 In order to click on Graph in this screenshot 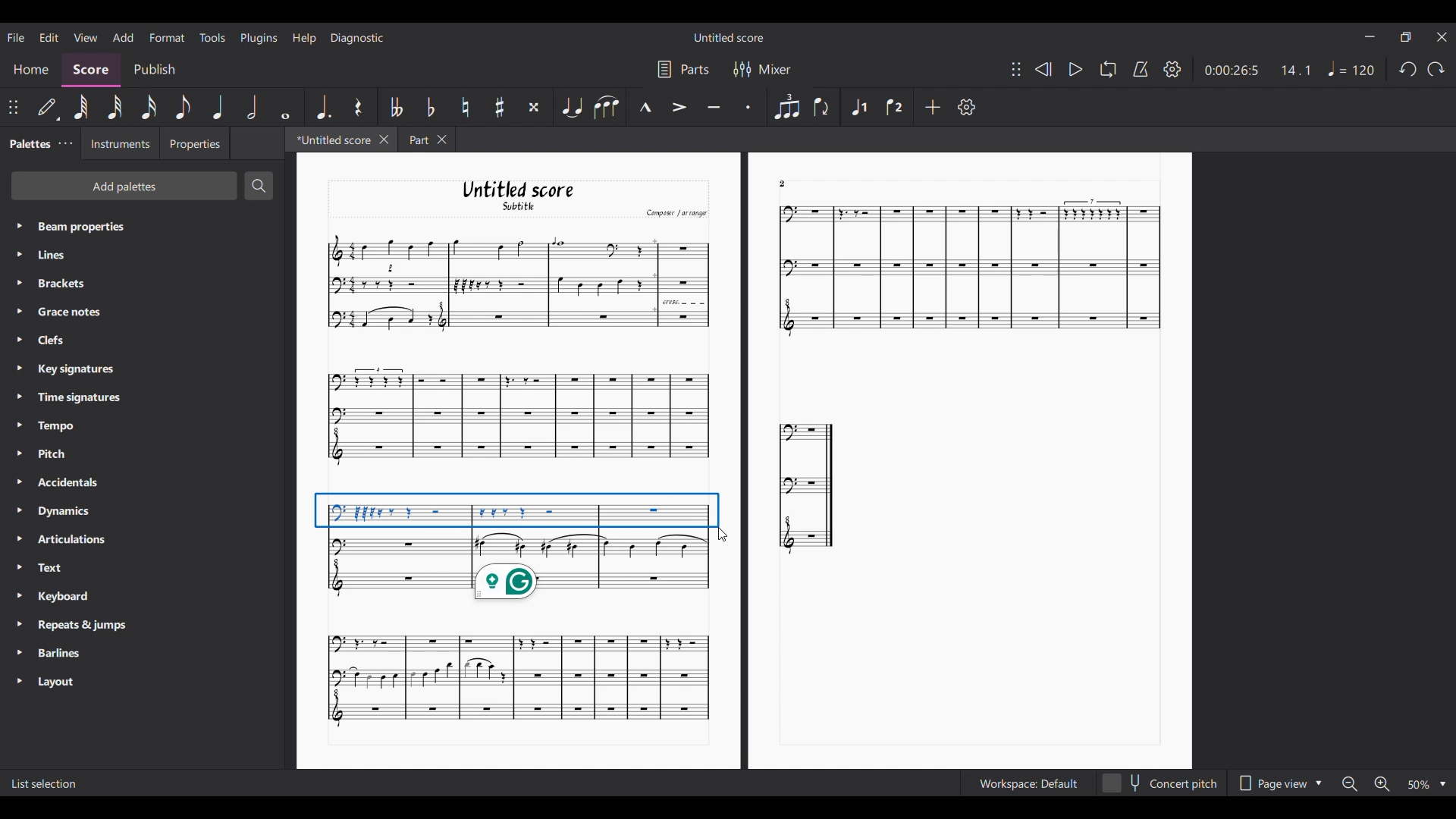, I will do `click(516, 679)`.